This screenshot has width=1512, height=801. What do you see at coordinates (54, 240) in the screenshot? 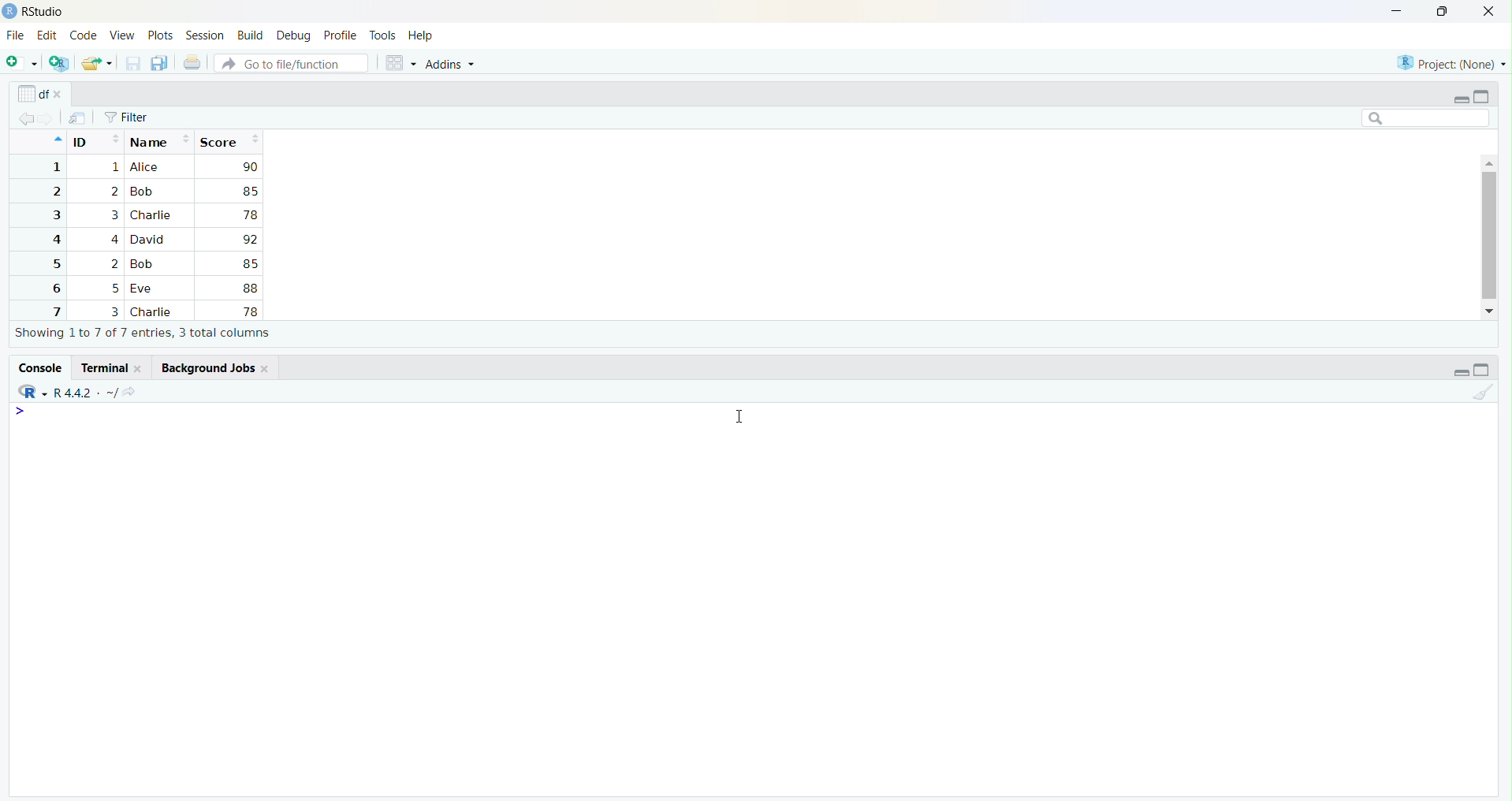
I see `4` at bounding box center [54, 240].